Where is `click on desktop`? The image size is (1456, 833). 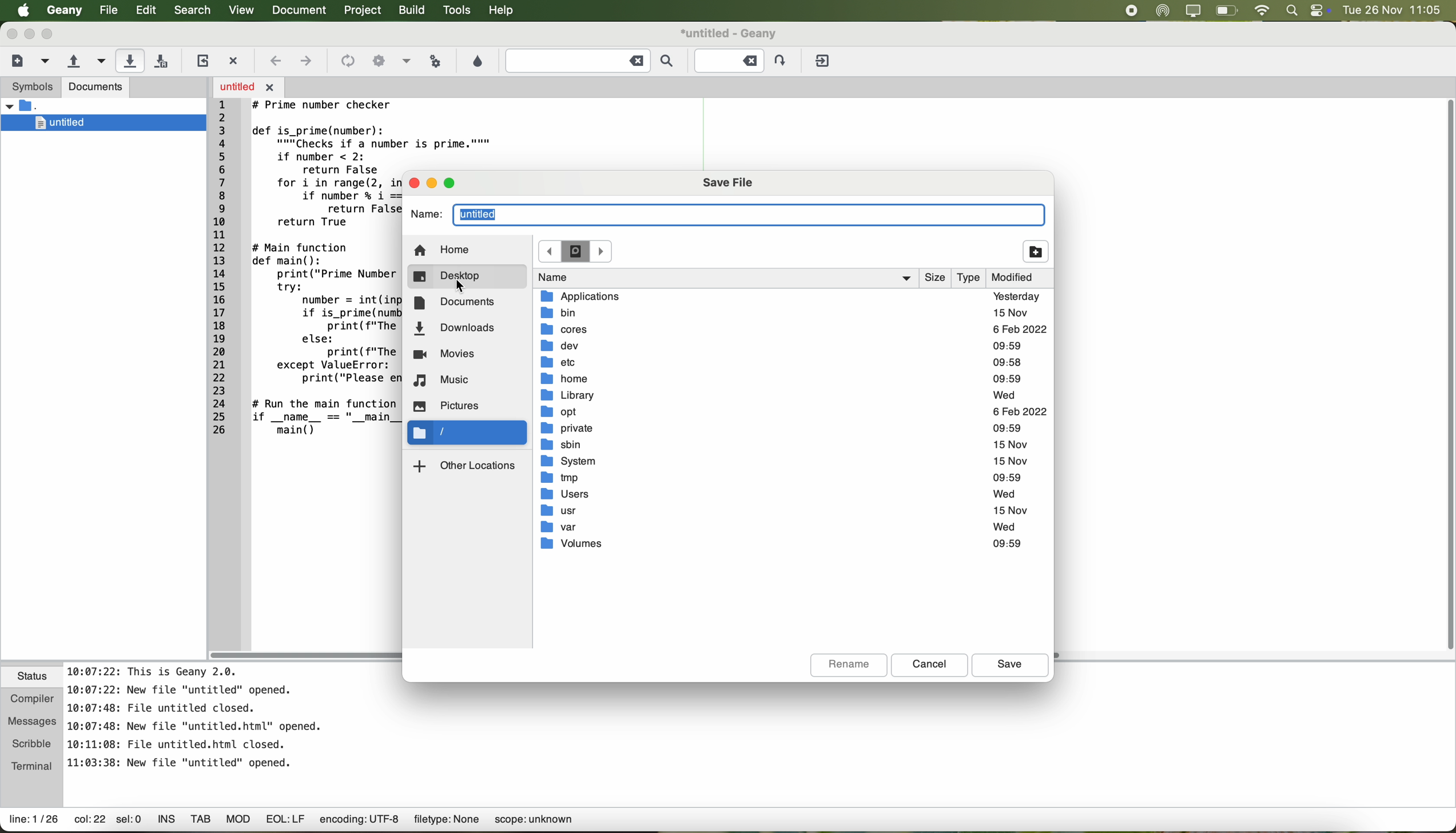 click on desktop is located at coordinates (464, 278).